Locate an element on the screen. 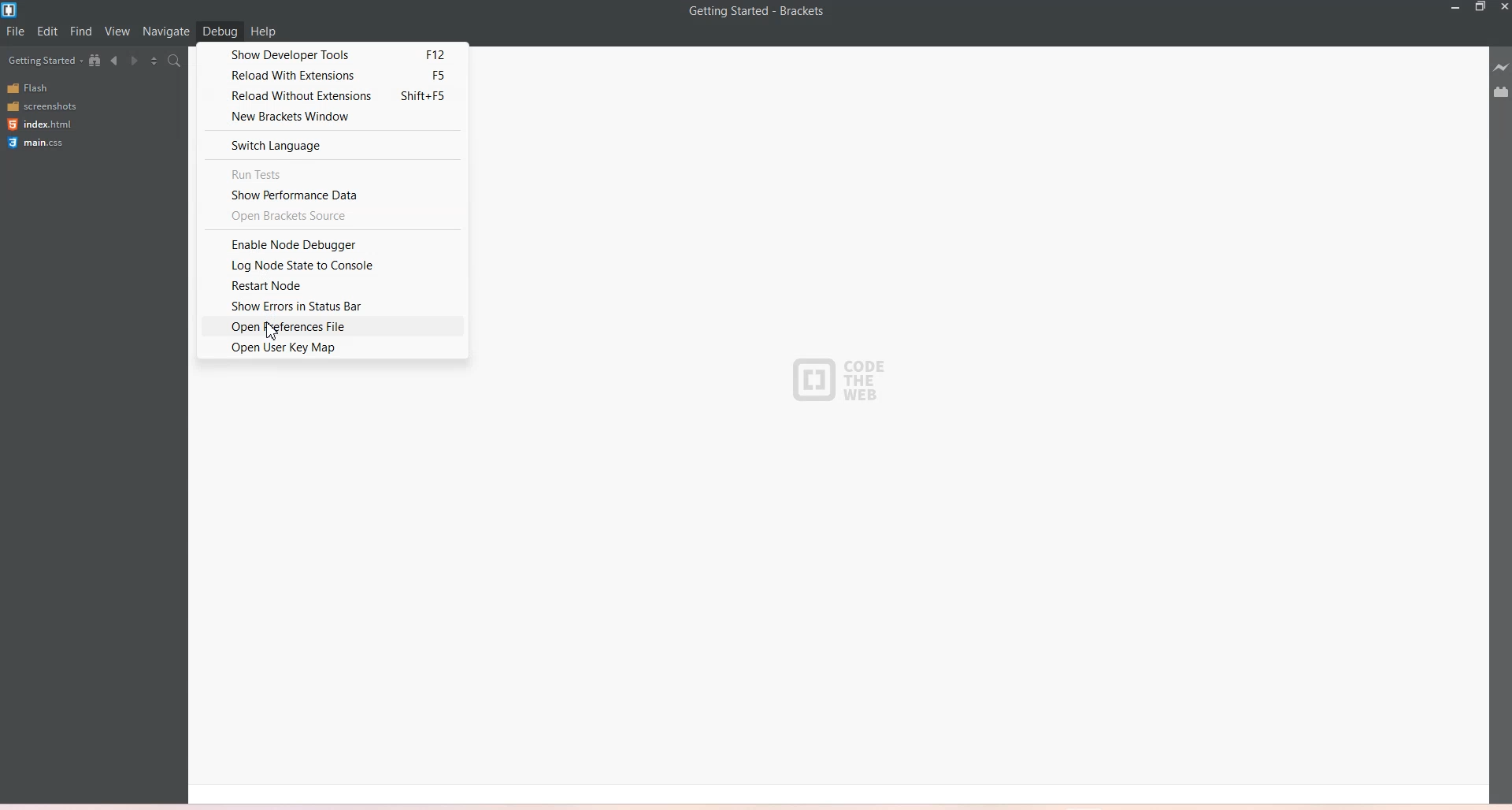 The image size is (1512, 810). Navigate is located at coordinates (166, 32).